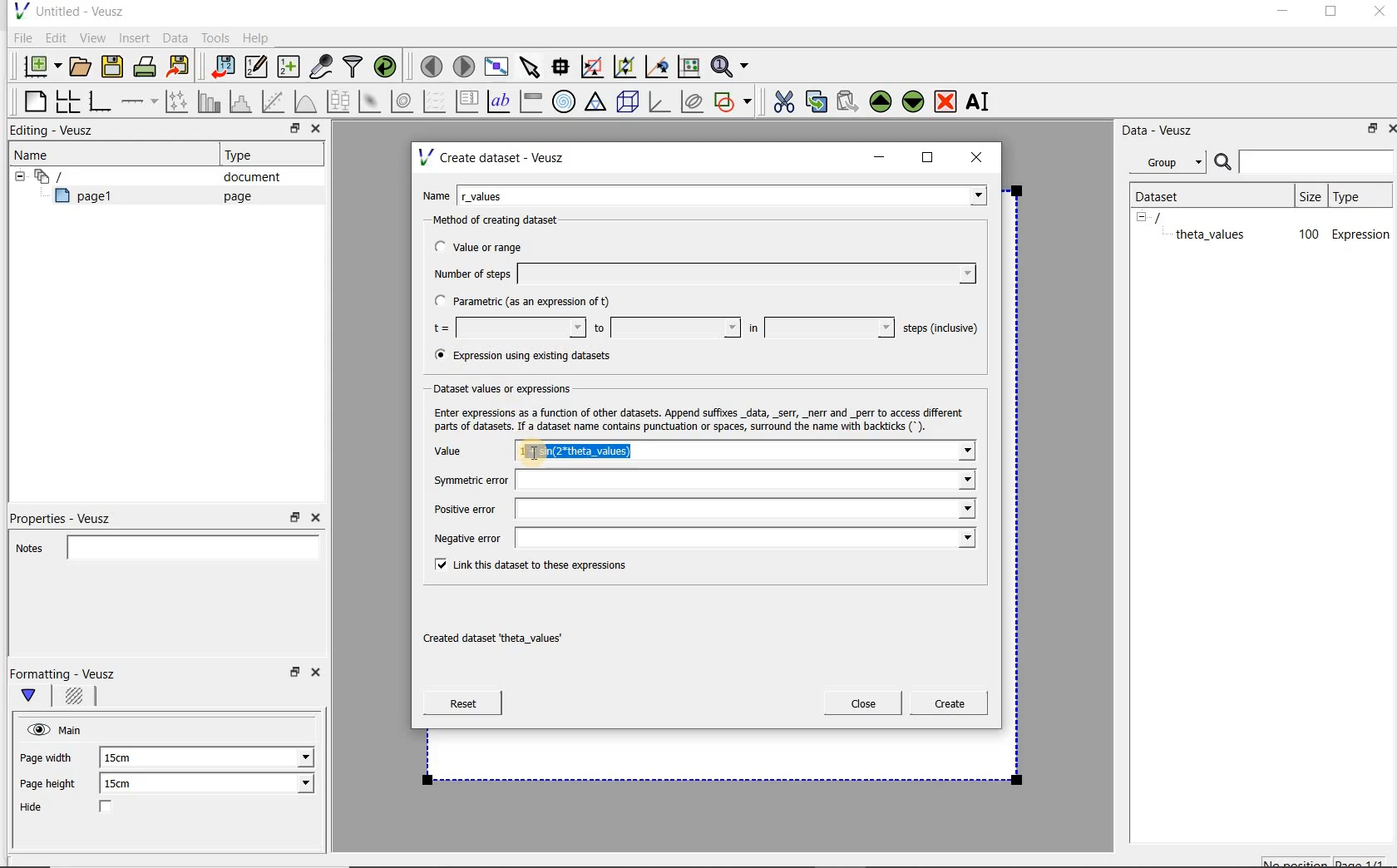 This screenshot has height=868, width=1397. I want to click on arrange graphs in a grid, so click(67, 101).